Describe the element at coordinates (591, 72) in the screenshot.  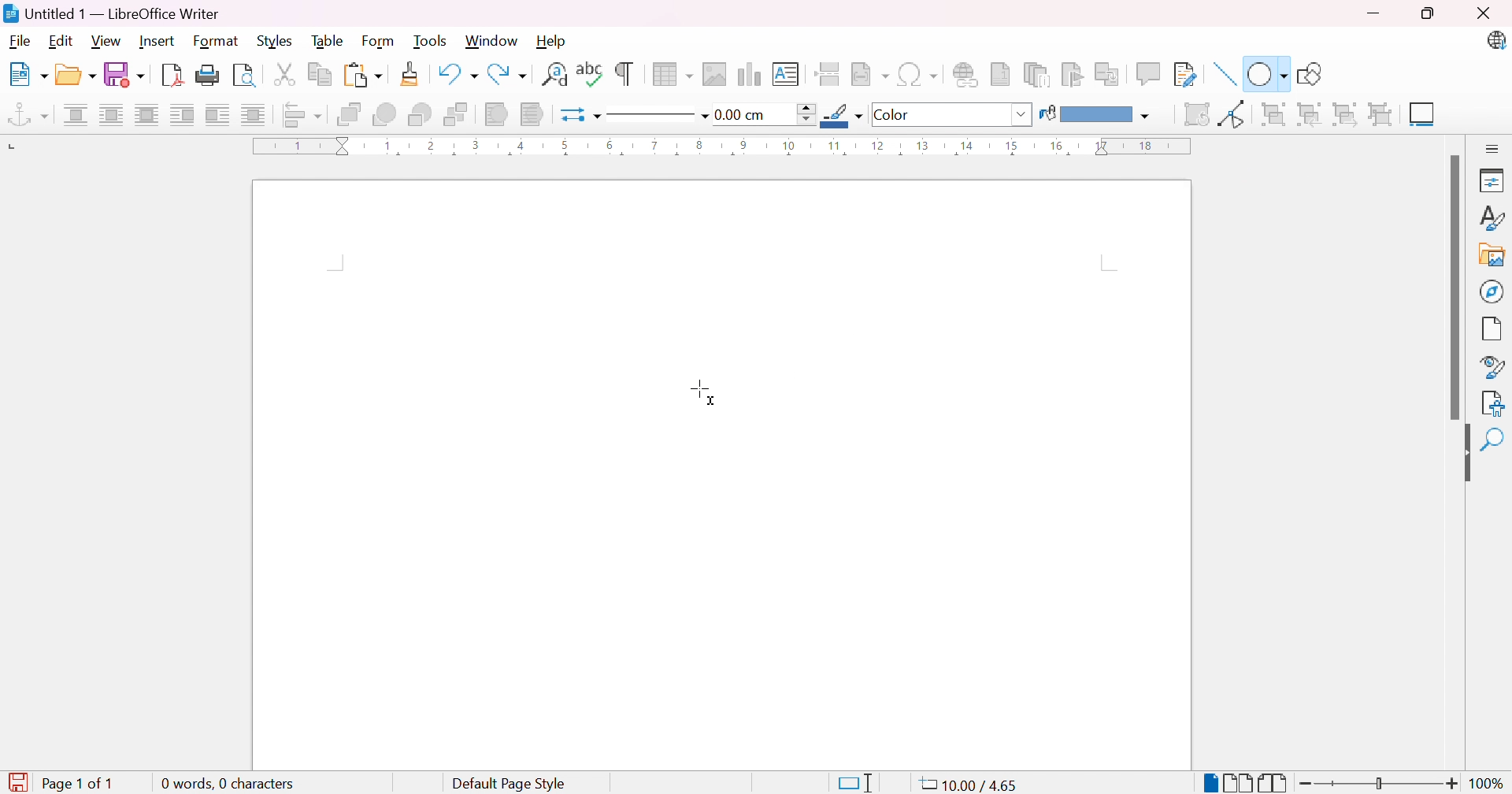
I see `Check spelling` at that location.